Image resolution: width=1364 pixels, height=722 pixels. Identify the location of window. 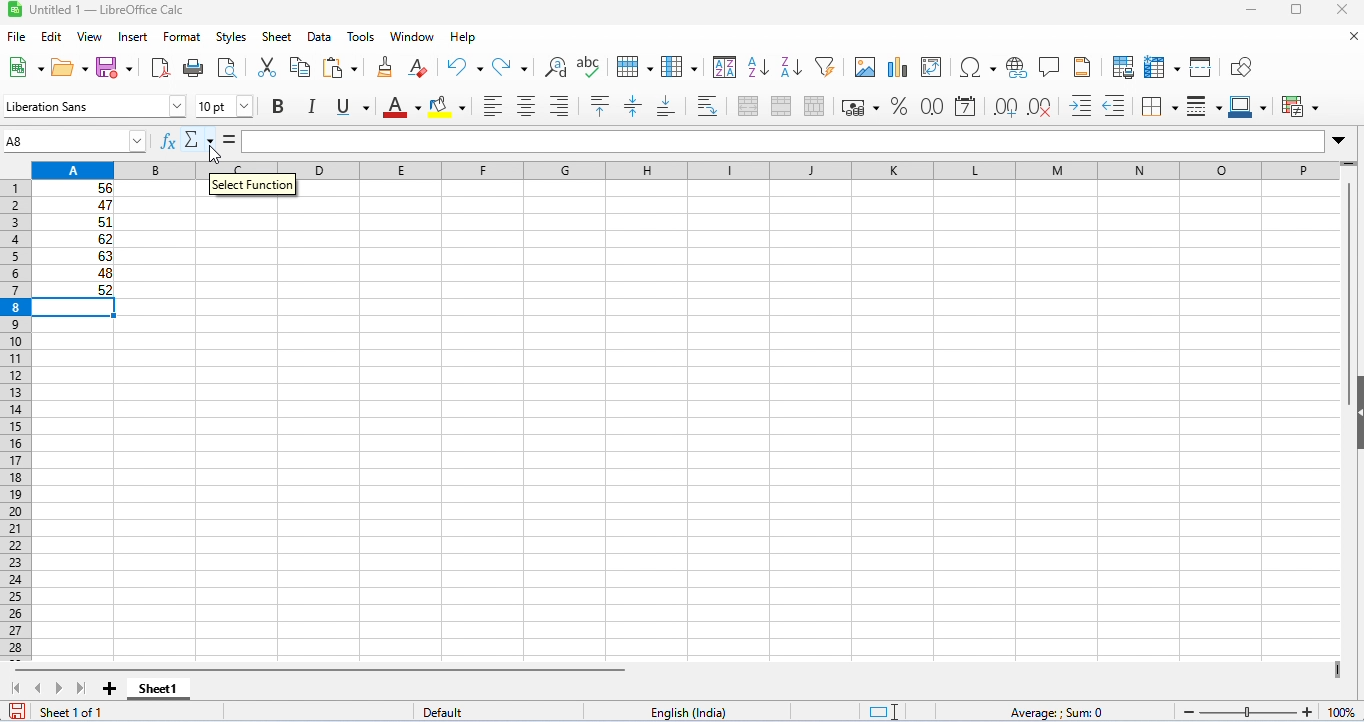
(415, 37).